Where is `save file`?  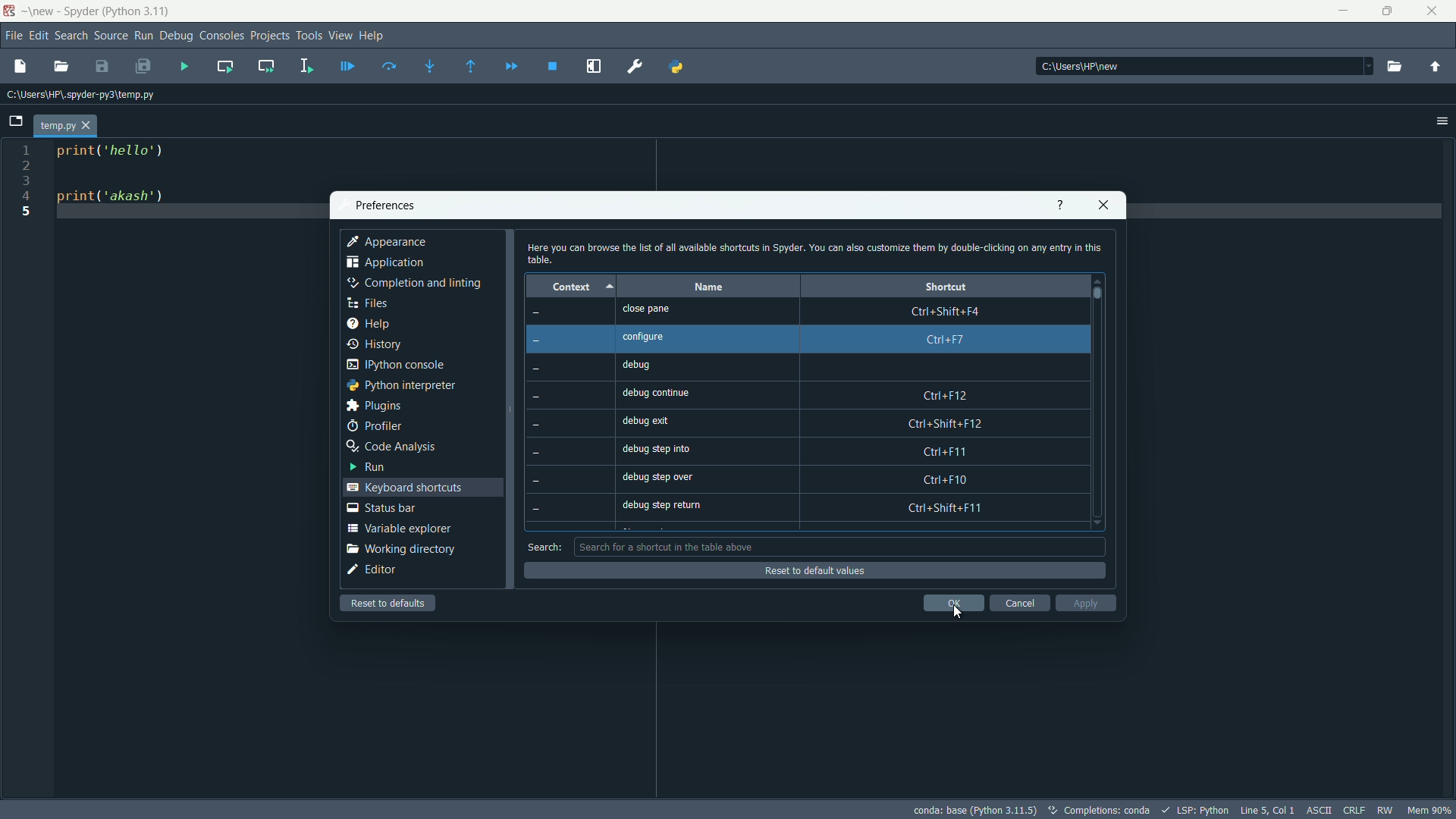
save file is located at coordinates (101, 67).